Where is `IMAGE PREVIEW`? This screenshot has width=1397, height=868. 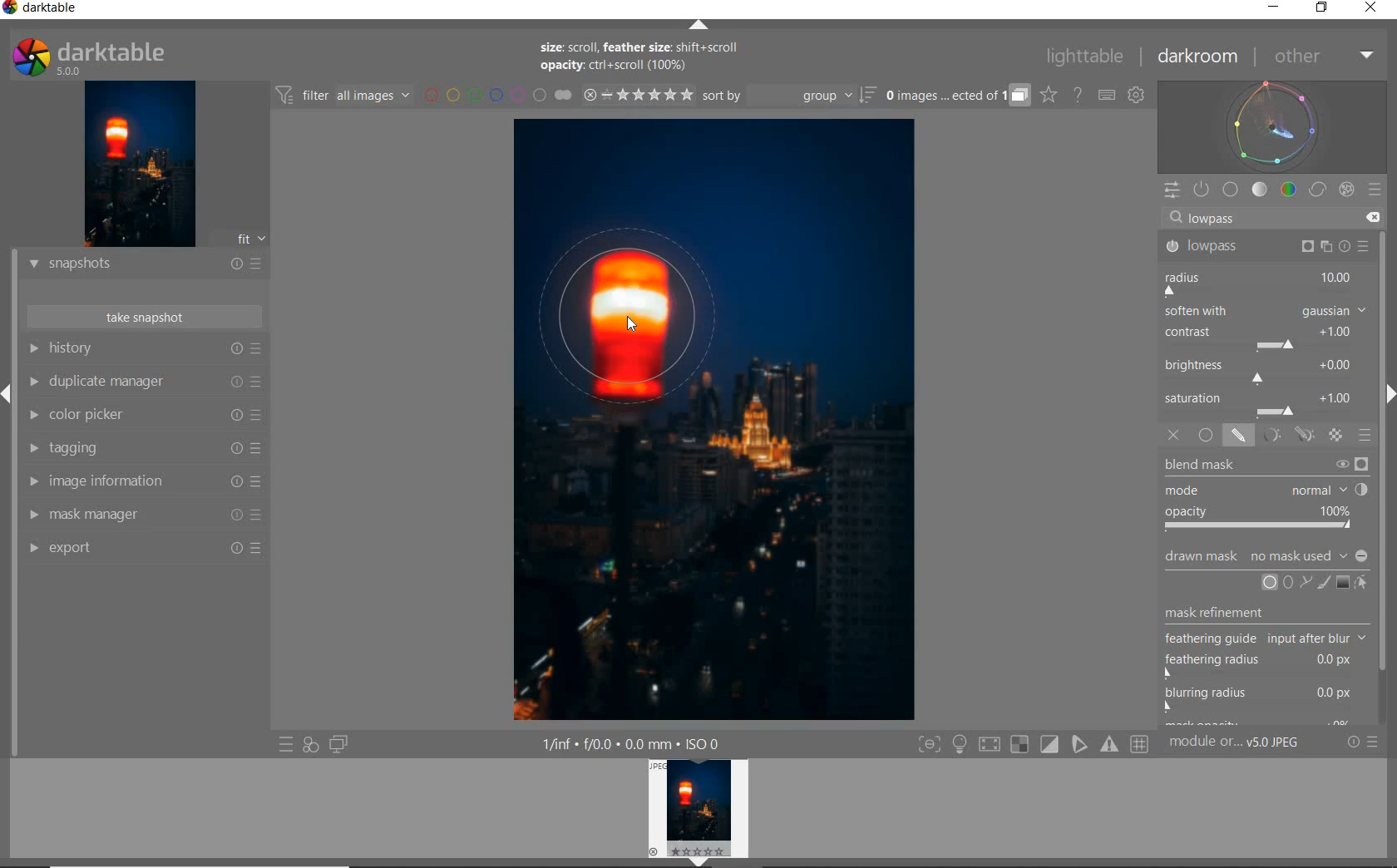 IMAGE PREVIEW is located at coordinates (701, 813).